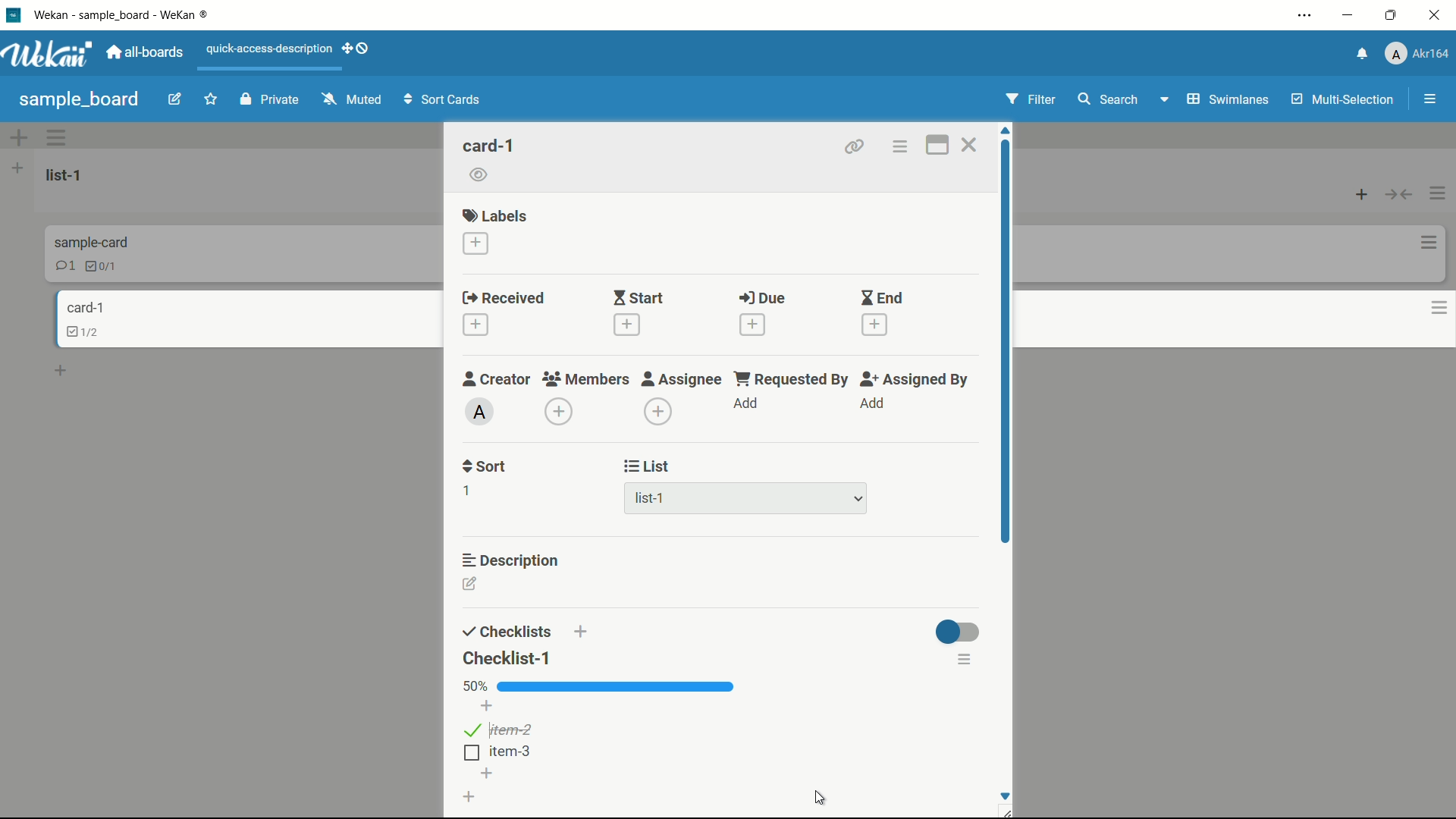  What do you see at coordinates (1434, 312) in the screenshot?
I see `card actions` at bounding box center [1434, 312].